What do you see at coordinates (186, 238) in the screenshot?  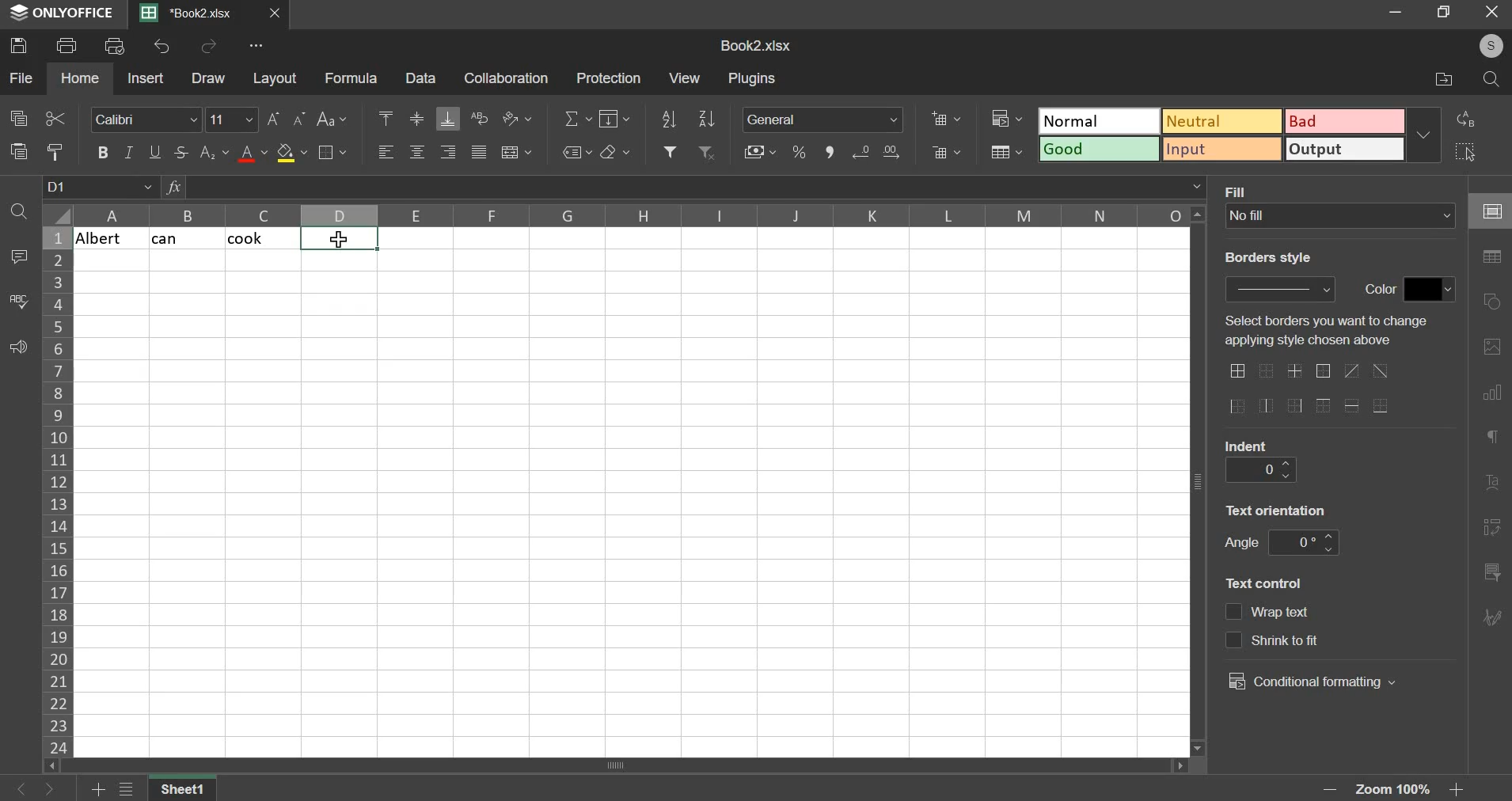 I see `cat` at bounding box center [186, 238].